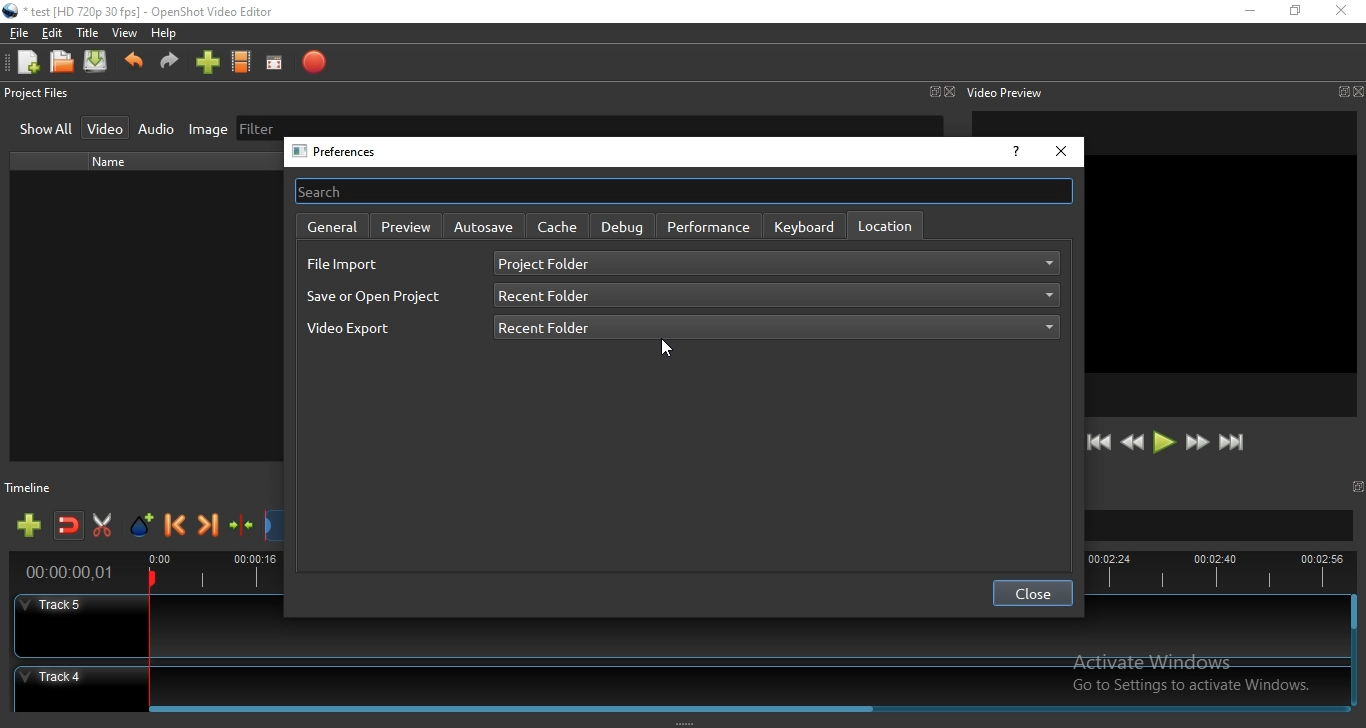  Describe the element at coordinates (69, 527) in the screenshot. I see `Disable snapping` at that location.